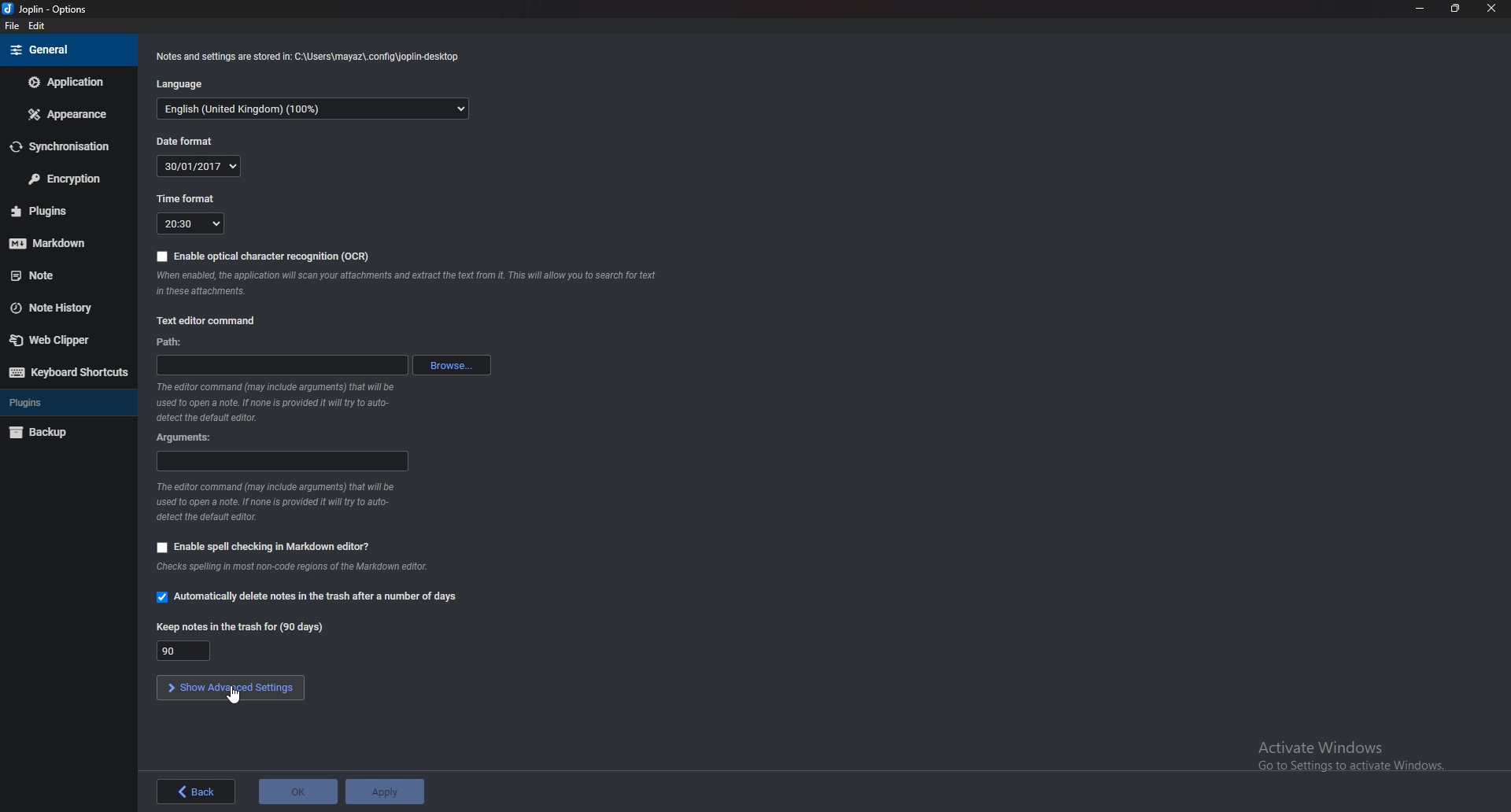  What do you see at coordinates (217, 319) in the screenshot?
I see `Text editor command` at bounding box center [217, 319].